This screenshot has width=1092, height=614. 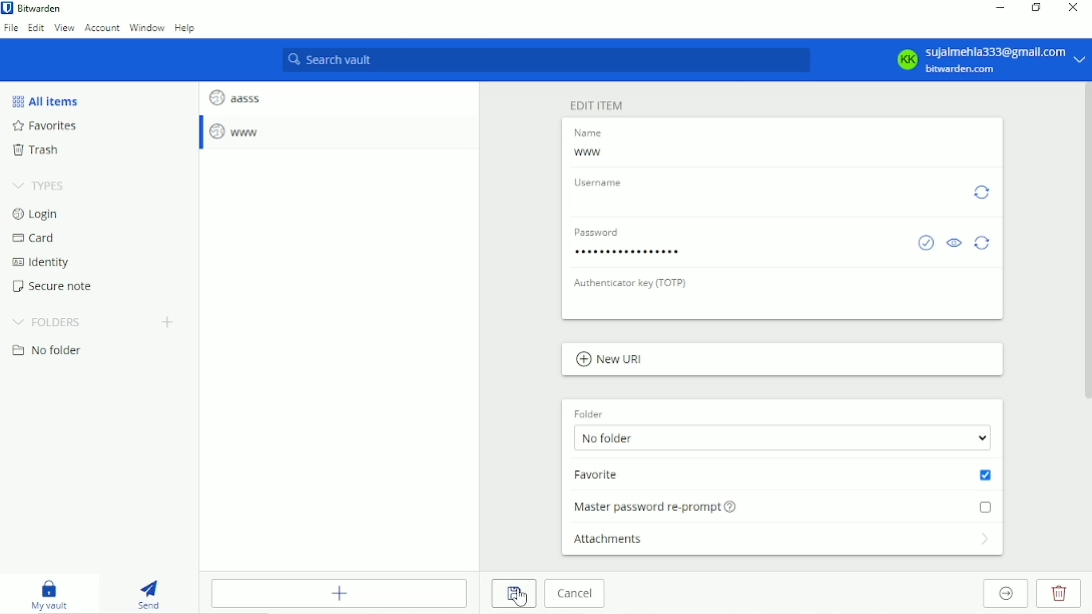 I want to click on Identity, so click(x=40, y=263).